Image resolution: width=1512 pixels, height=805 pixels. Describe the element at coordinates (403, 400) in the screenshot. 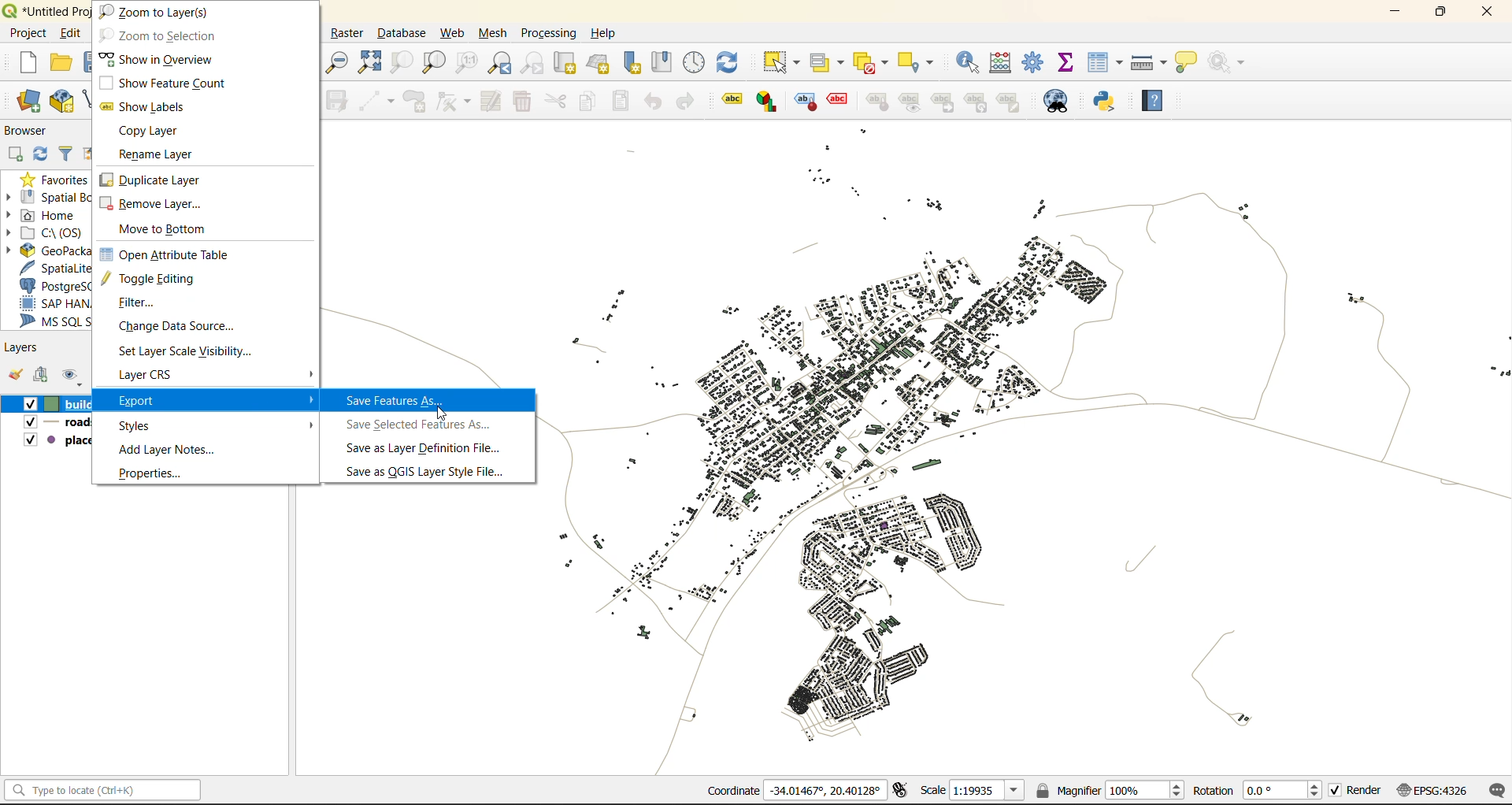

I see `save features as` at that location.